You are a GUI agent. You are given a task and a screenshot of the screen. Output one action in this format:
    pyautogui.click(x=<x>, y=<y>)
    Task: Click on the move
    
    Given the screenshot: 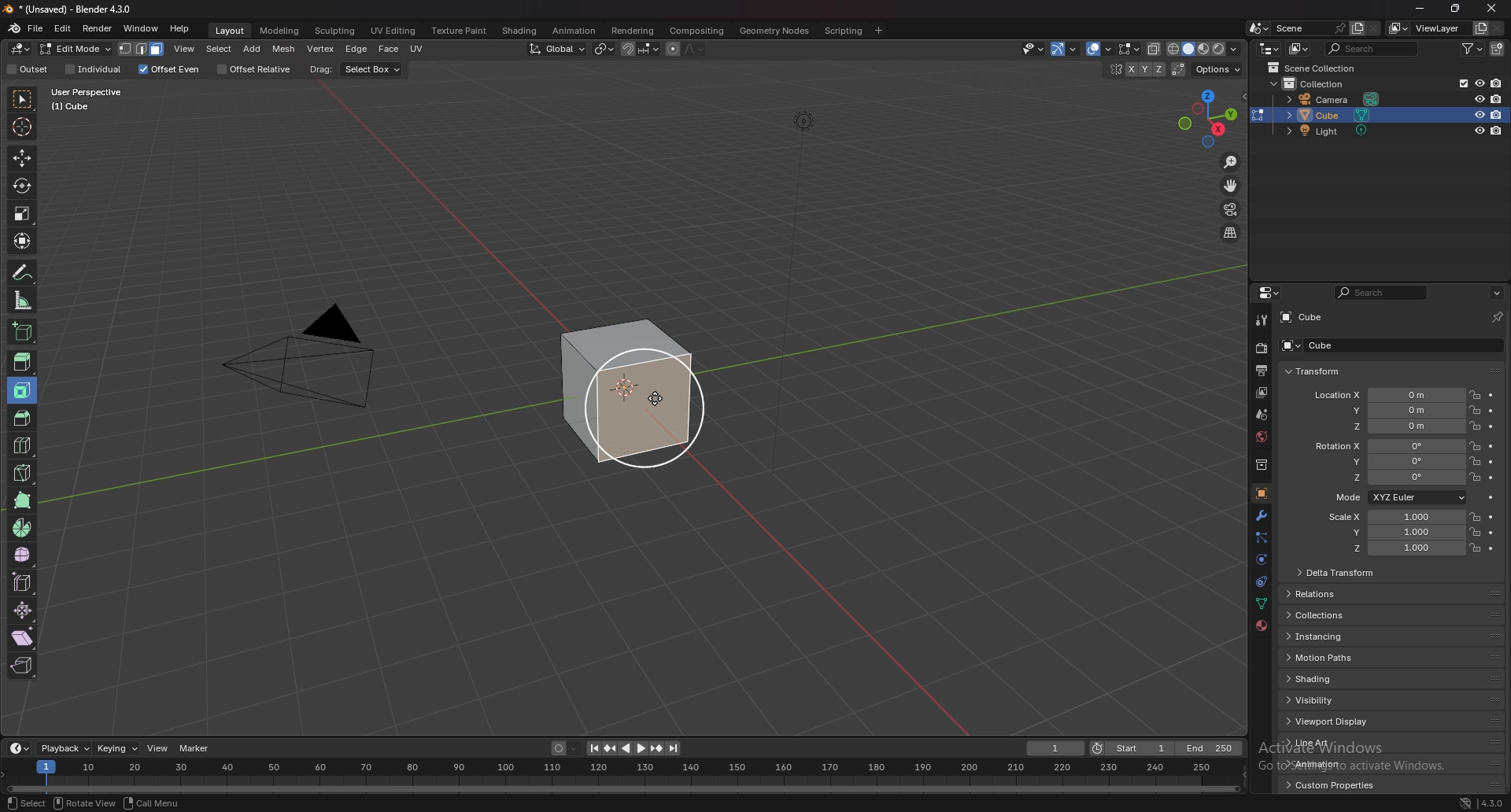 What is the action you would take?
    pyautogui.click(x=1232, y=186)
    